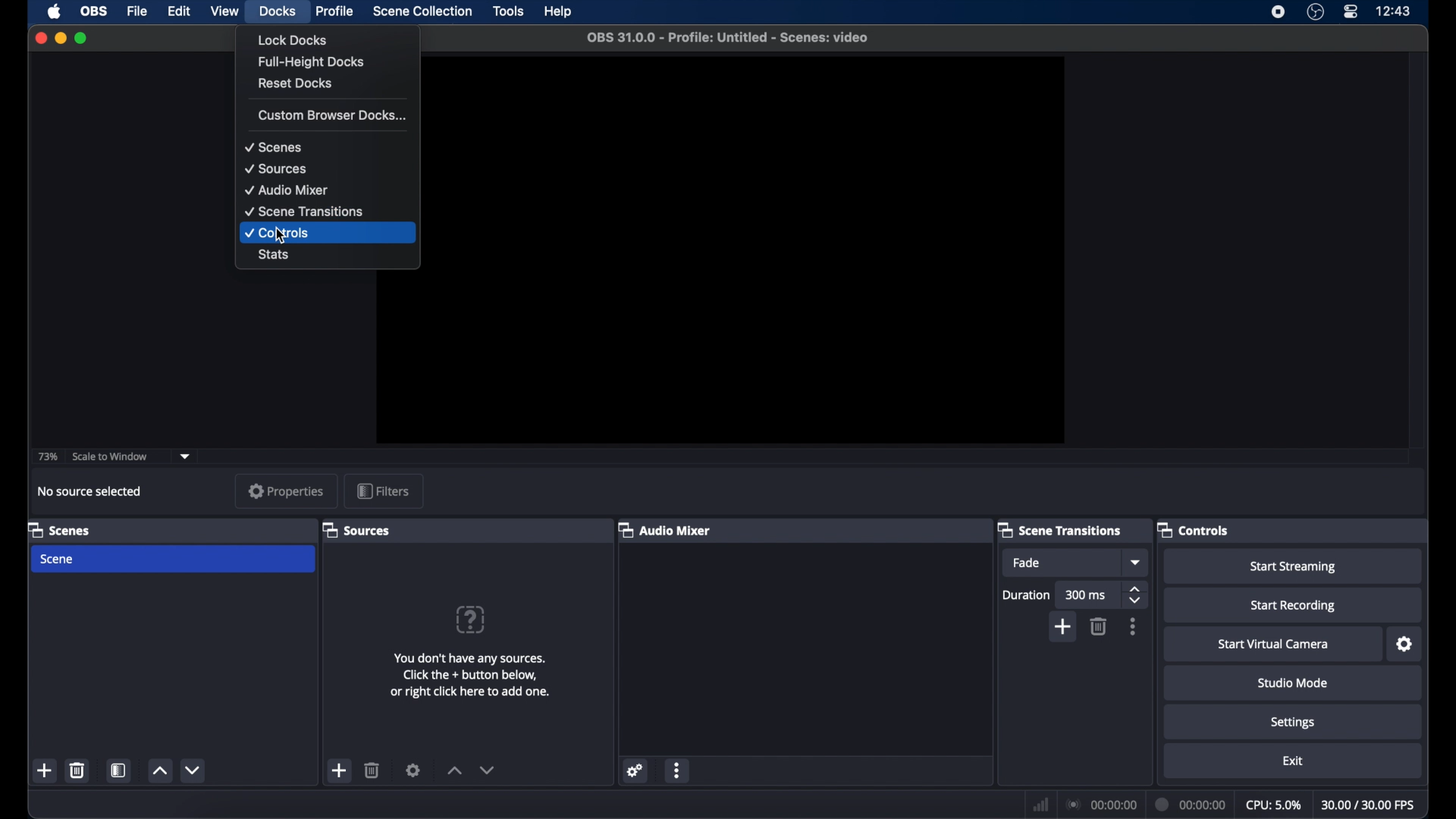 This screenshot has height=819, width=1456. I want to click on control center, so click(1351, 11).